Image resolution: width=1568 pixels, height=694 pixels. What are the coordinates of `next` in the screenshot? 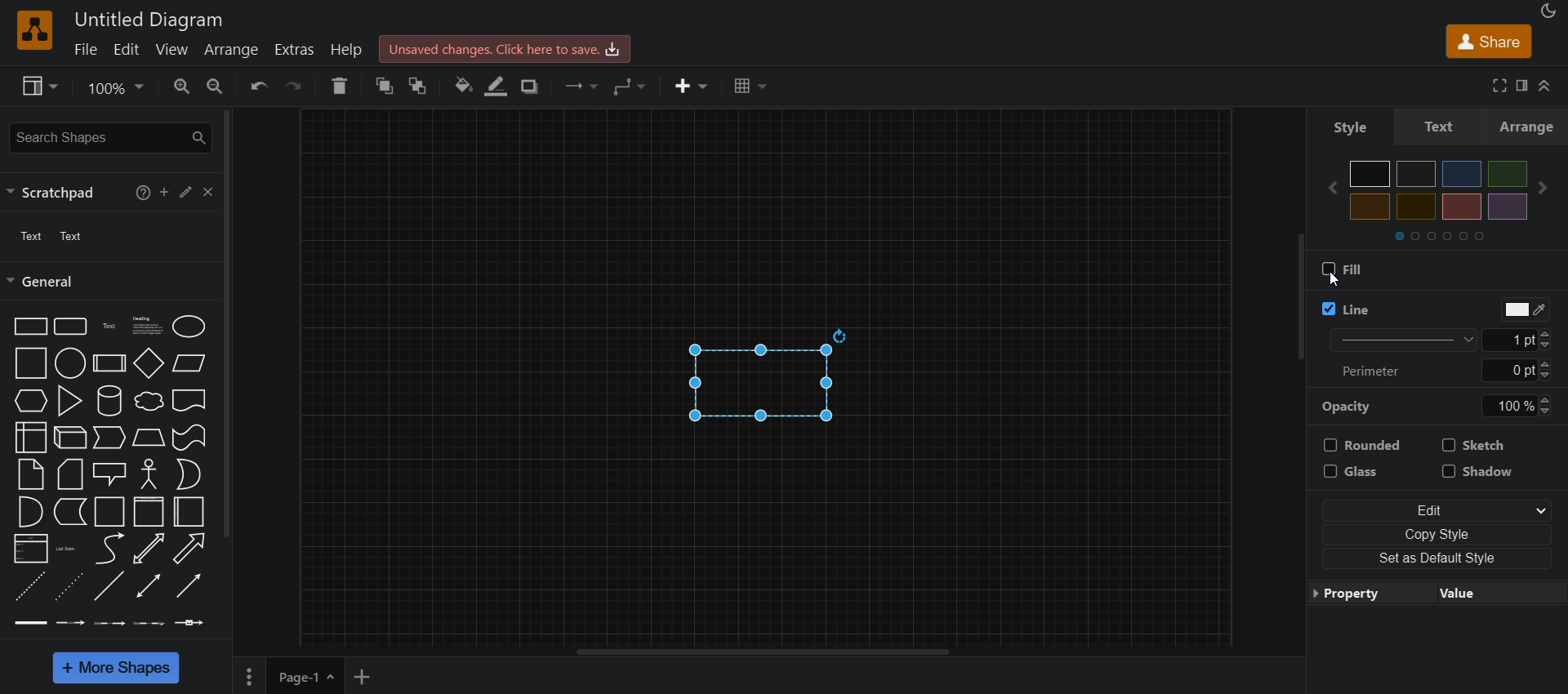 It's located at (1543, 188).